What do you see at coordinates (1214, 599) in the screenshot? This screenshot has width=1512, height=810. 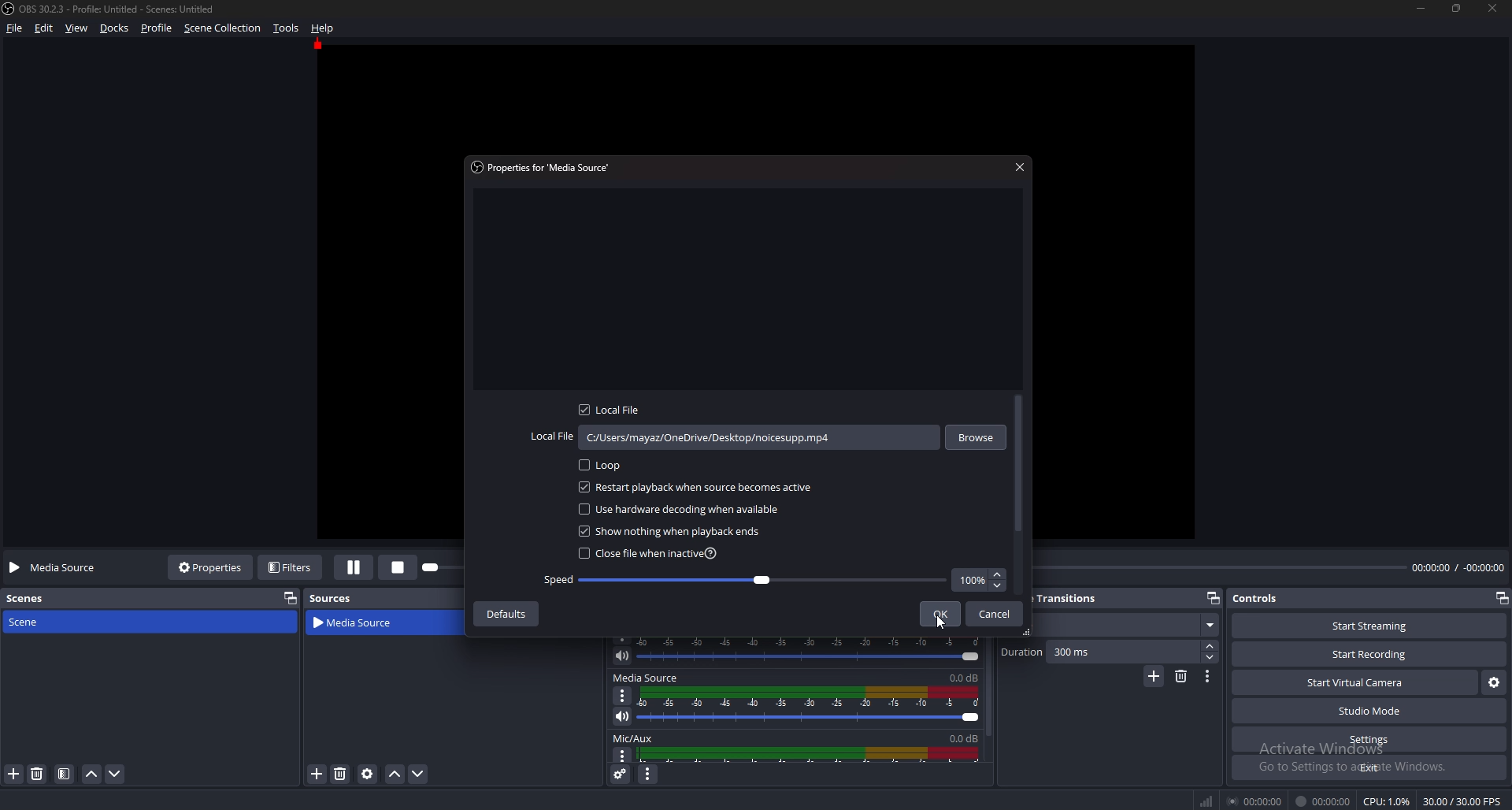 I see `Pop out` at bounding box center [1214, 599].